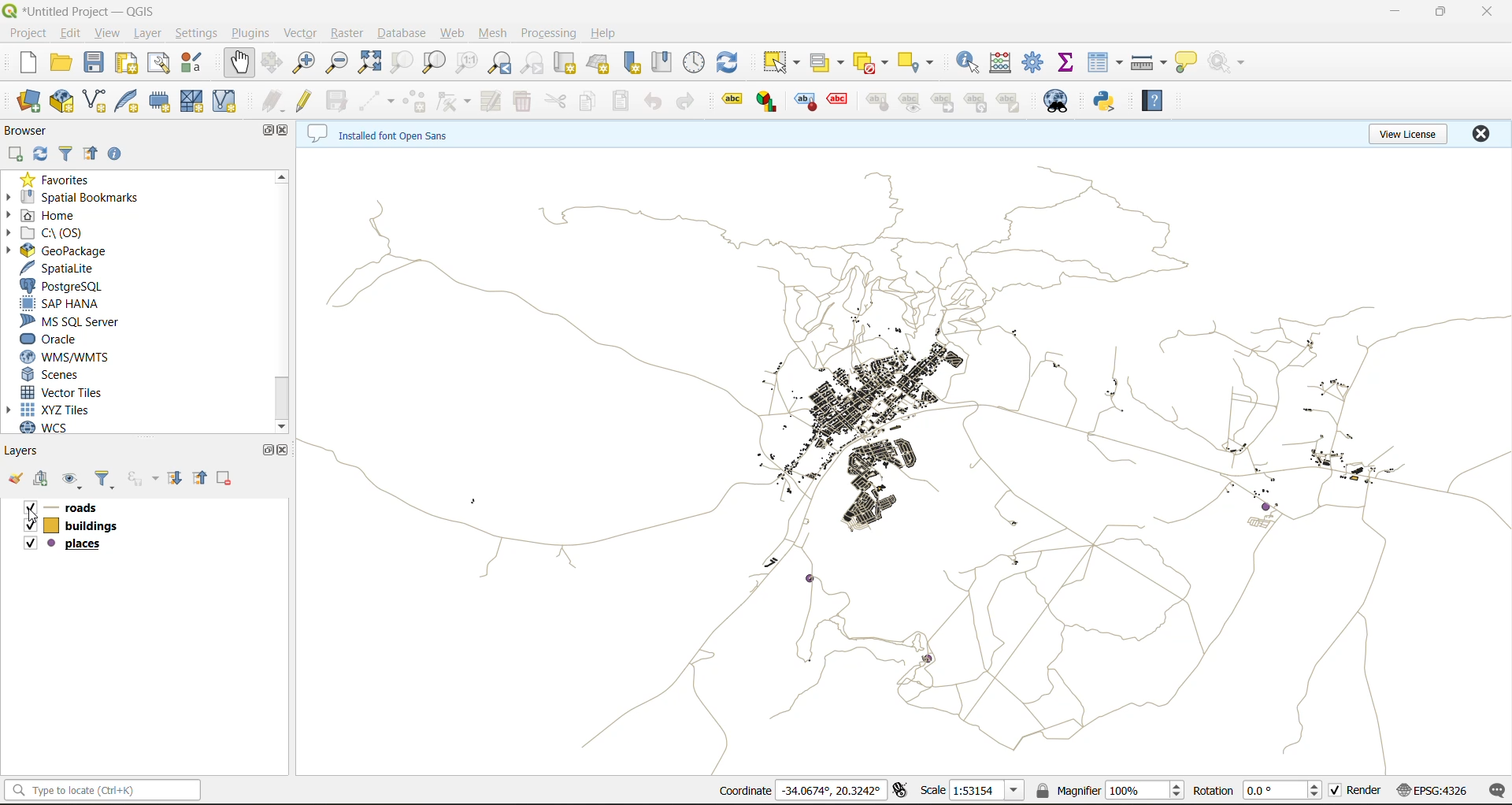  I want to click on show layout, so click(160, 65).